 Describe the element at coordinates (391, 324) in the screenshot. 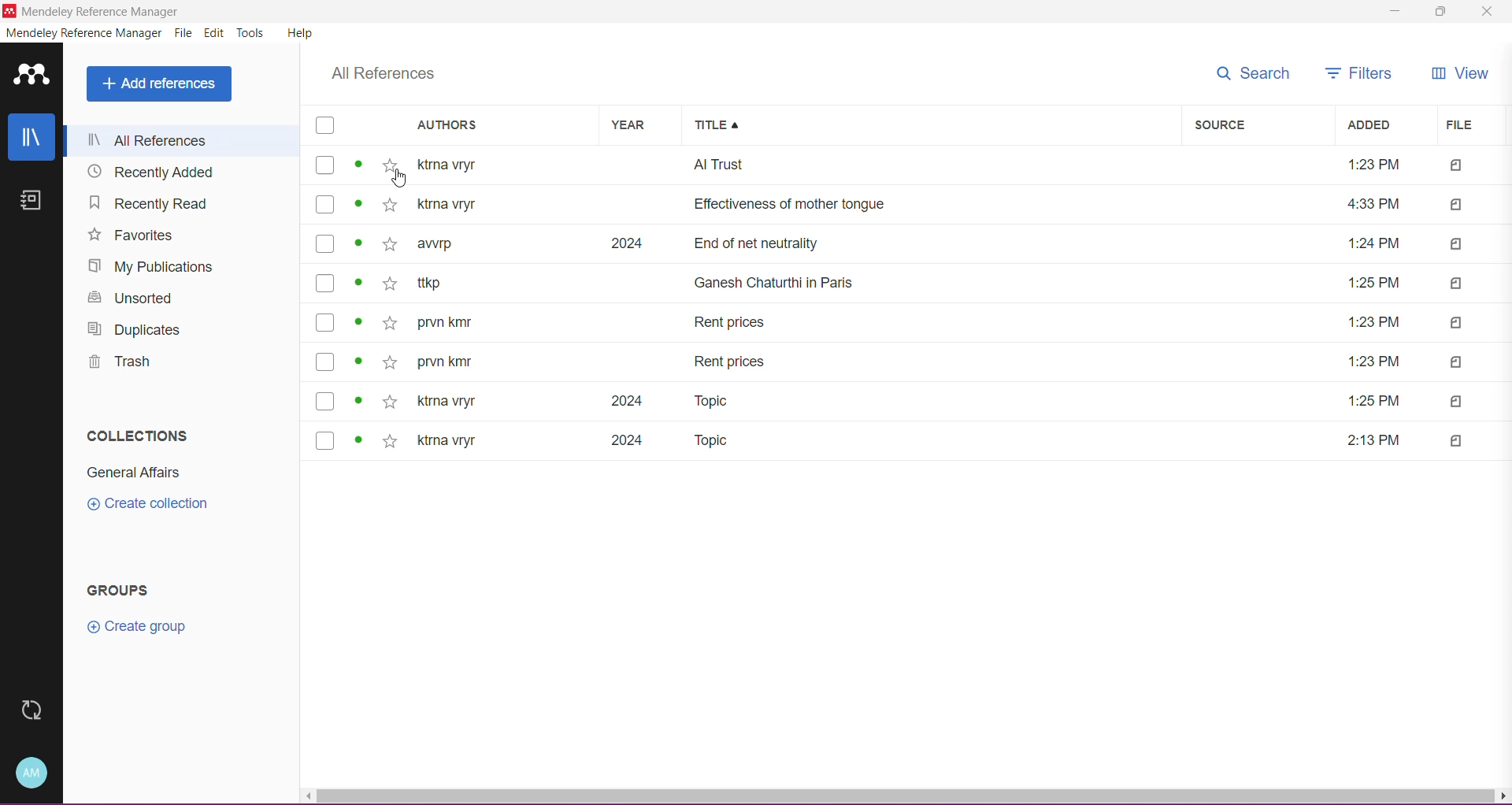

I see `Add to favorite` at that location.